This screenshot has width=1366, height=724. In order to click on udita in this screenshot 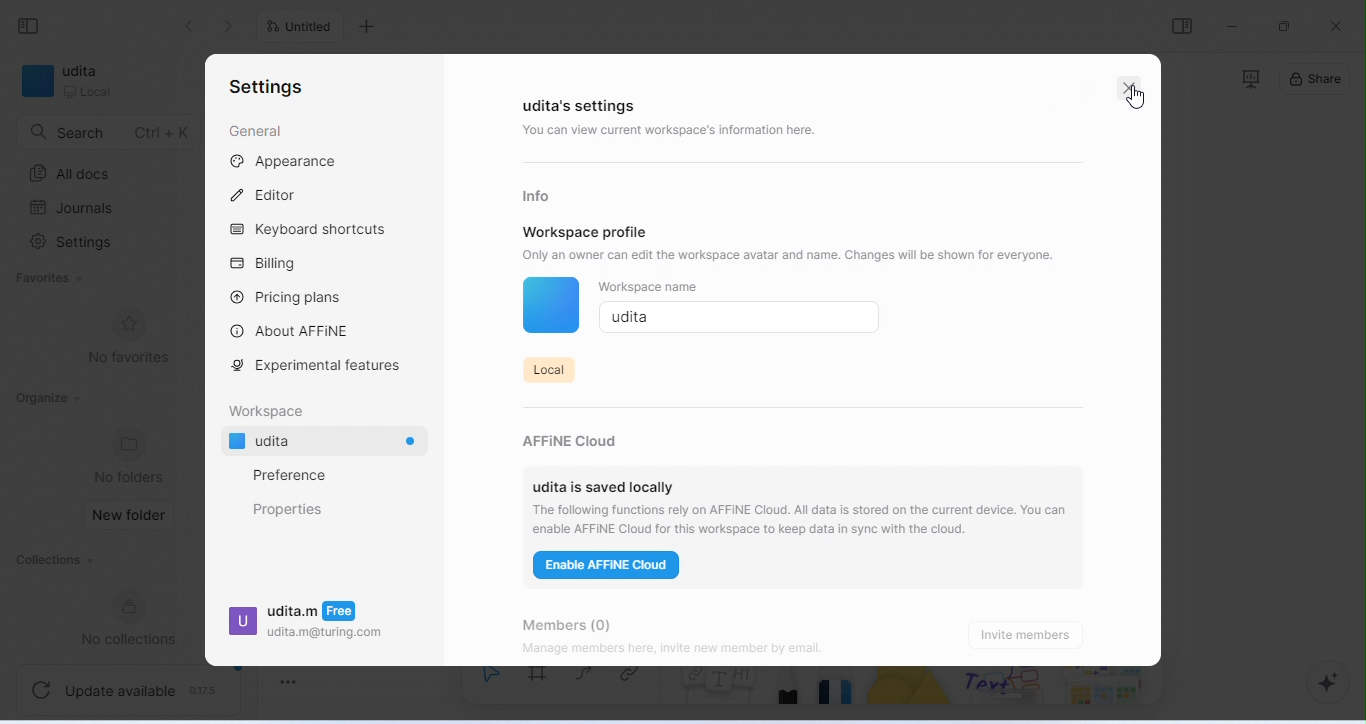, I will do `click(635, 319)`.